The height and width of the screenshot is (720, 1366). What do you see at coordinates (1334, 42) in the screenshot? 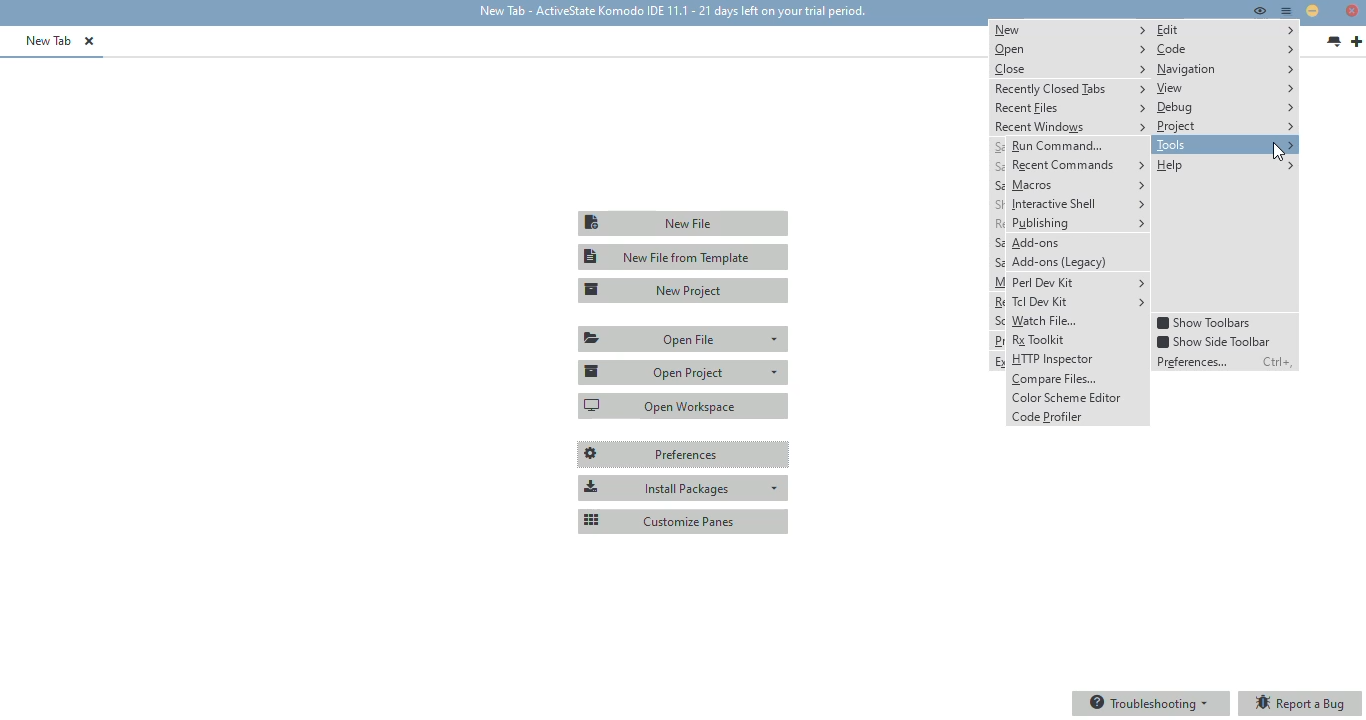
I see `list all tabs` at bounding box center [1334, 42].